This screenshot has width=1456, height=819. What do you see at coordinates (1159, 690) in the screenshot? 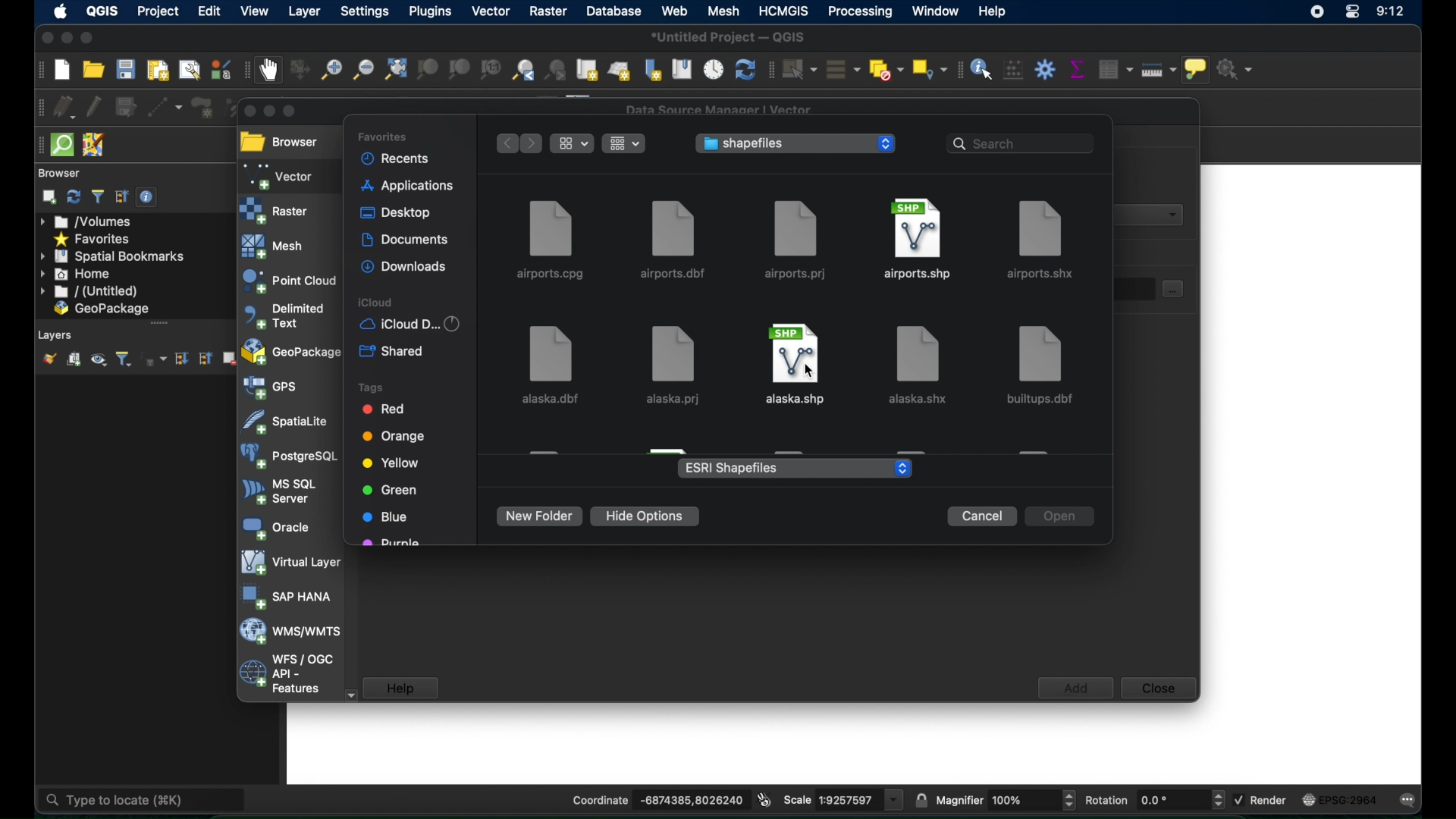
I see `close` at bounding box center [1159, 690].